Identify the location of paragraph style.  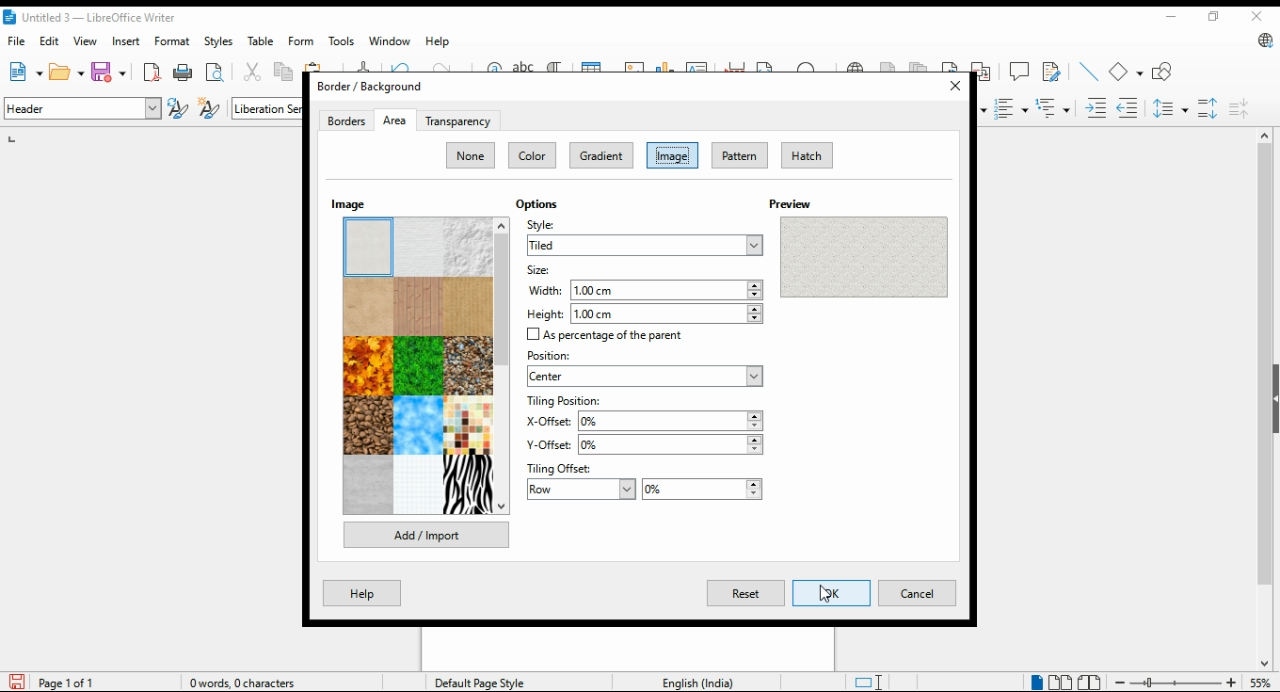
(84, 108).